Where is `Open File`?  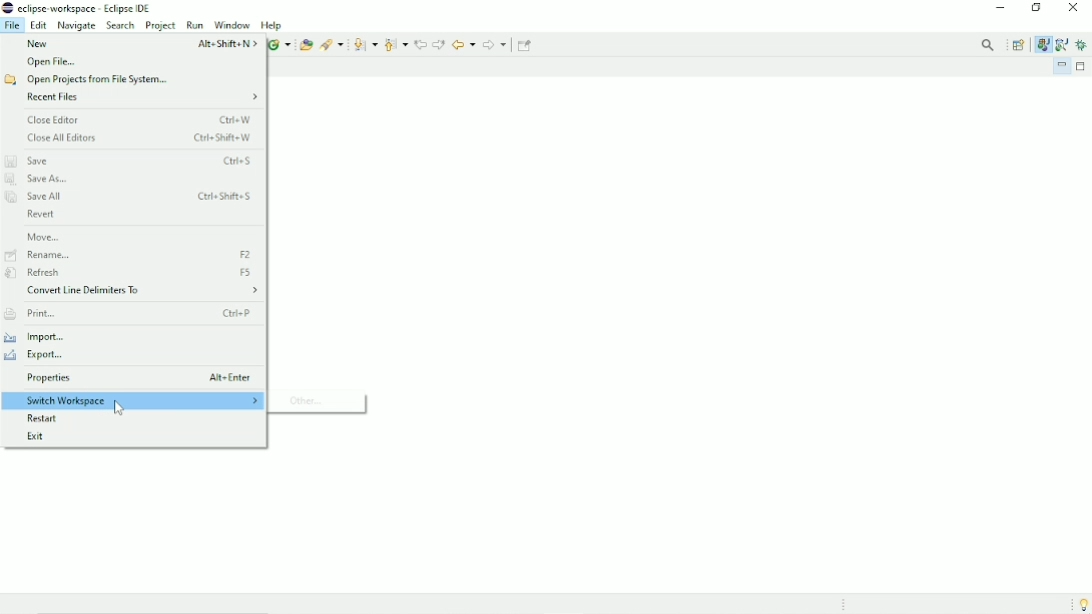 Open File is located at coordinates (52, 62).